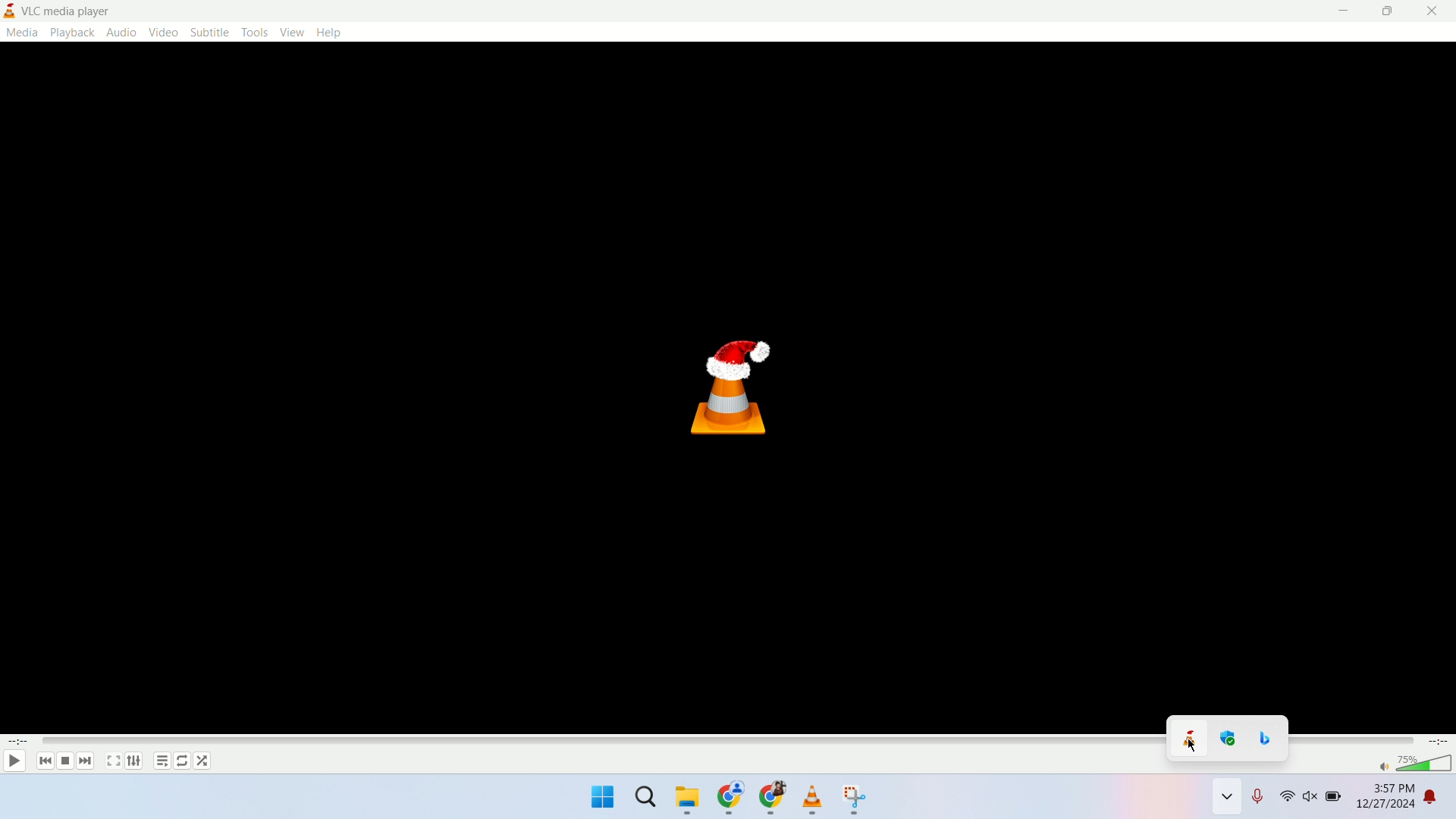  I want to click on random, so click(204, 761).